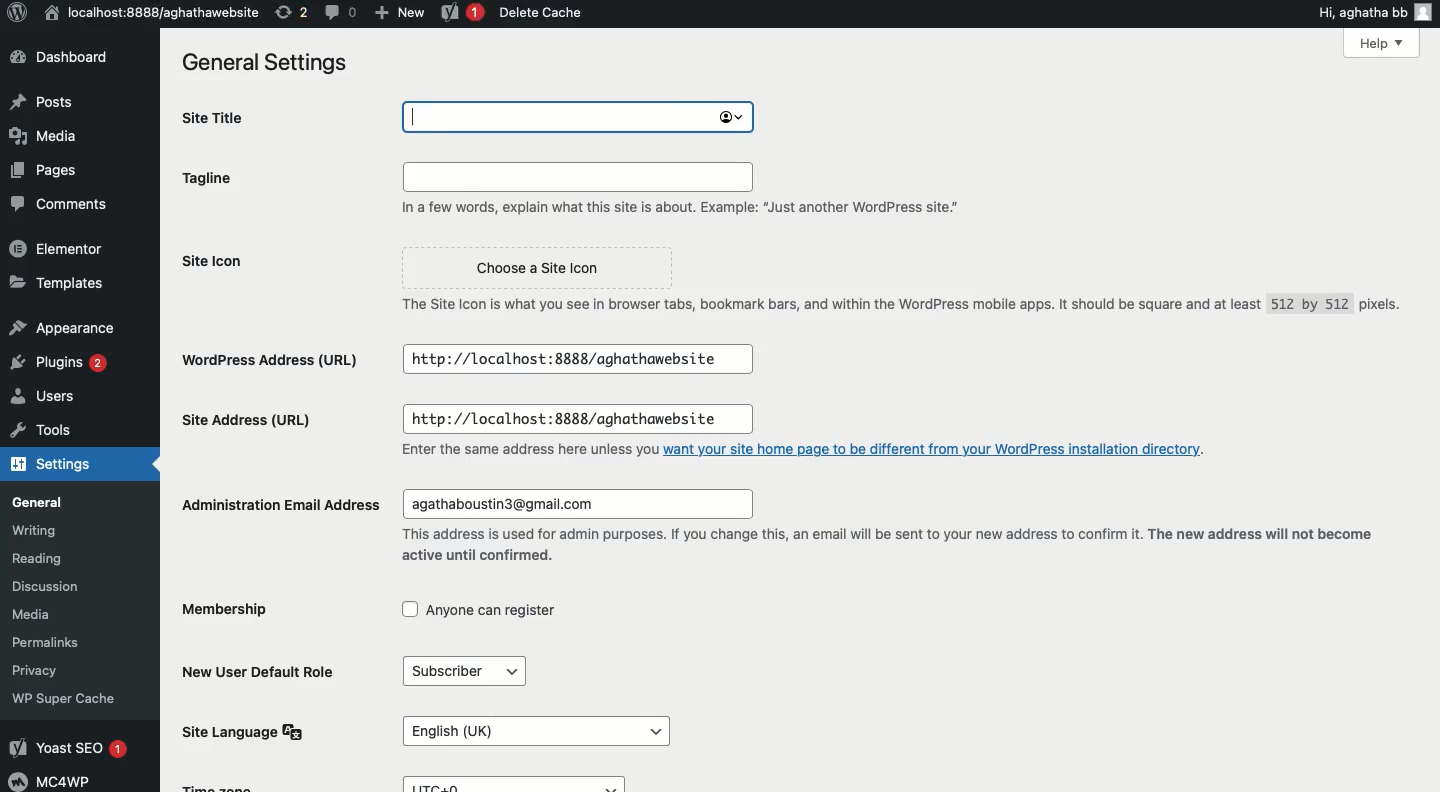 The image size is (1440, 792). What do you see at coordinates (44, 168) in the screenshot?
I see `Pages` at bounding box center [44, 168].